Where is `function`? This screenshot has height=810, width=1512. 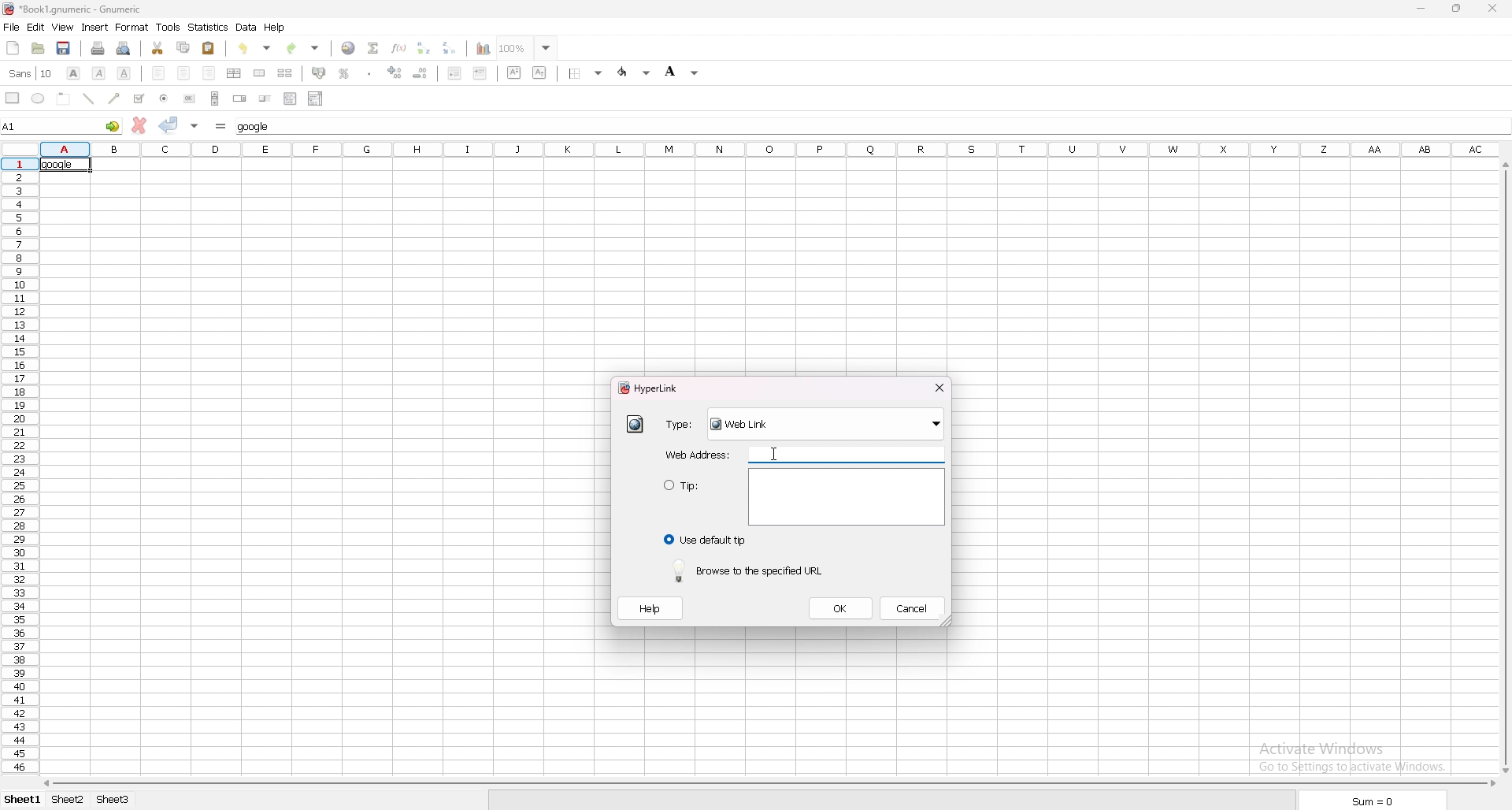
function is located at coordinates (398, 48).